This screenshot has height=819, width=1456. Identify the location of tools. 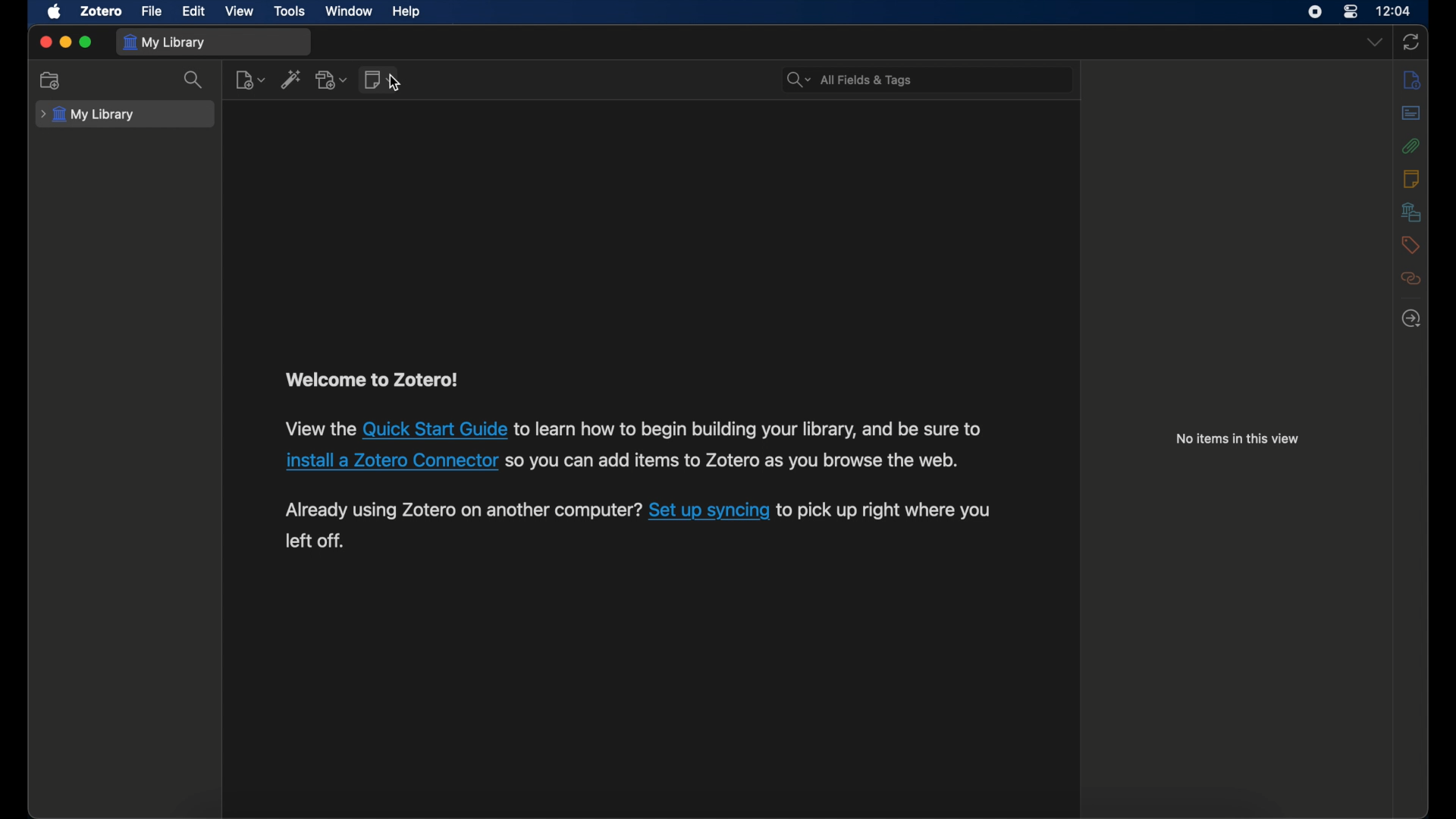
(290, 11).